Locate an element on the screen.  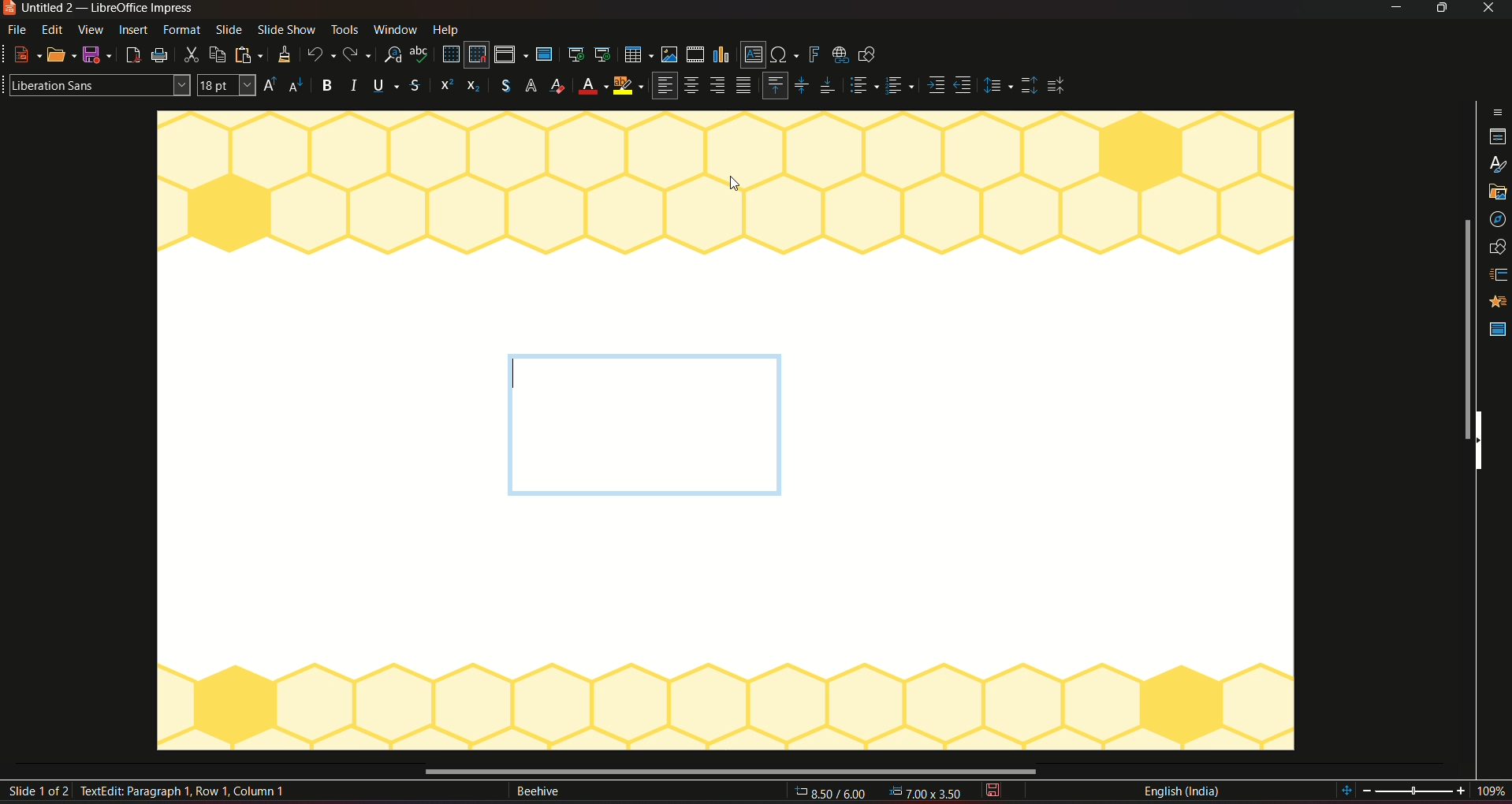
spelling is located at coordinates (420, 56).